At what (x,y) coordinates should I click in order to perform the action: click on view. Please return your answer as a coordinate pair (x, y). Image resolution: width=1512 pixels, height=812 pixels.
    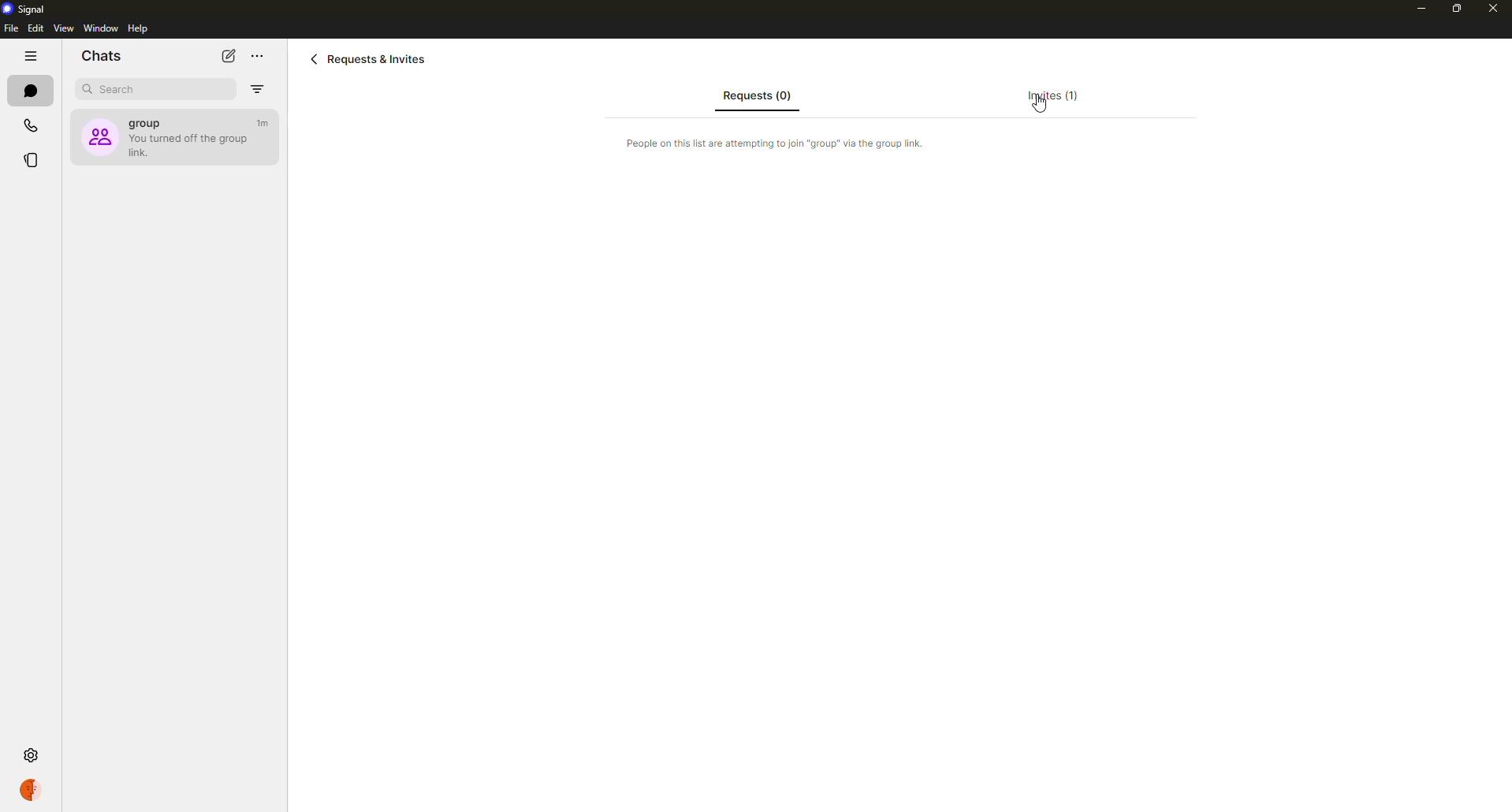
    Looking at the image, I should click on (64, 29).